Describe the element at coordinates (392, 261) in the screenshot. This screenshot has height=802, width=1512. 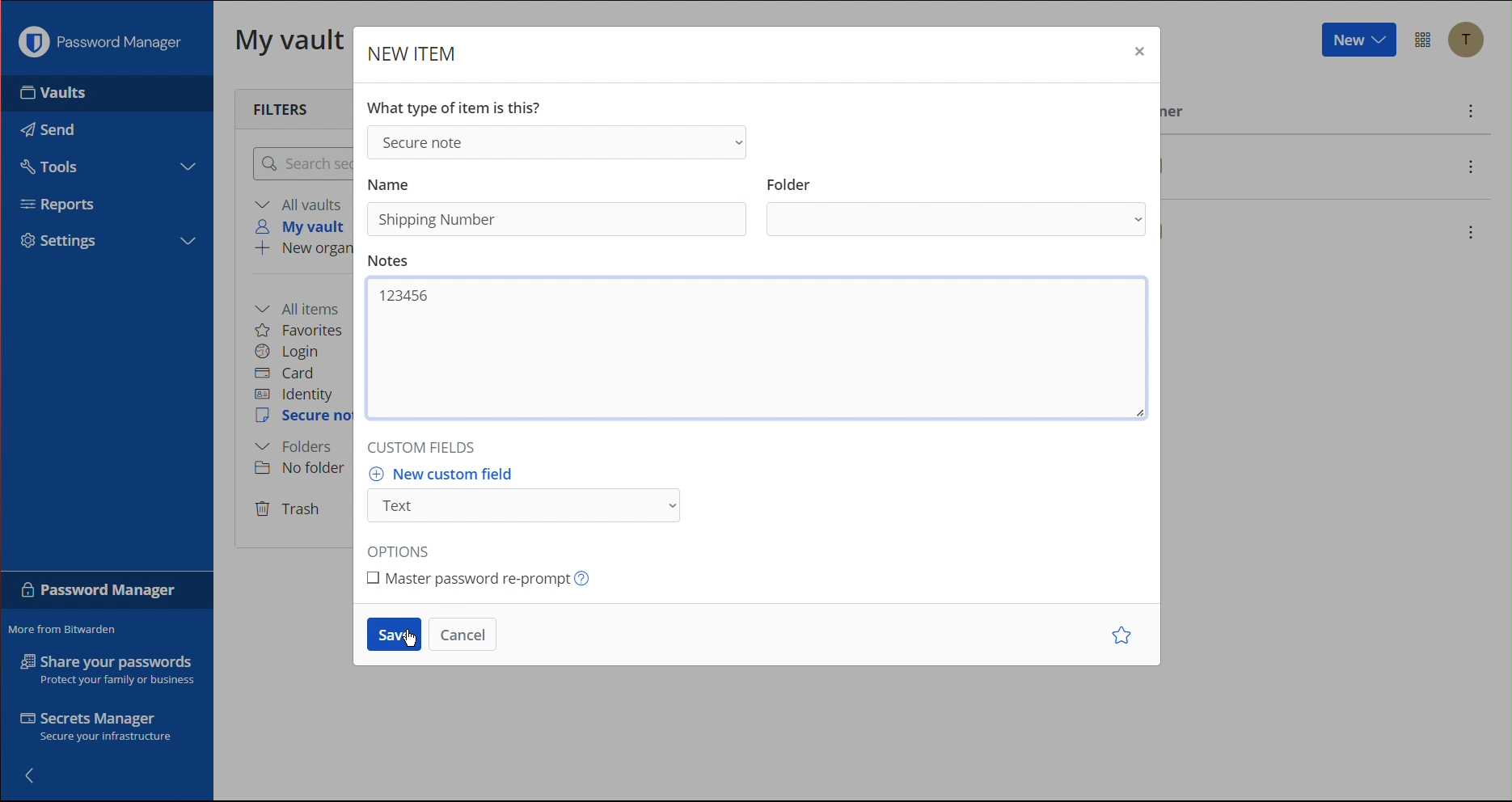
I see `Notes` at that location.